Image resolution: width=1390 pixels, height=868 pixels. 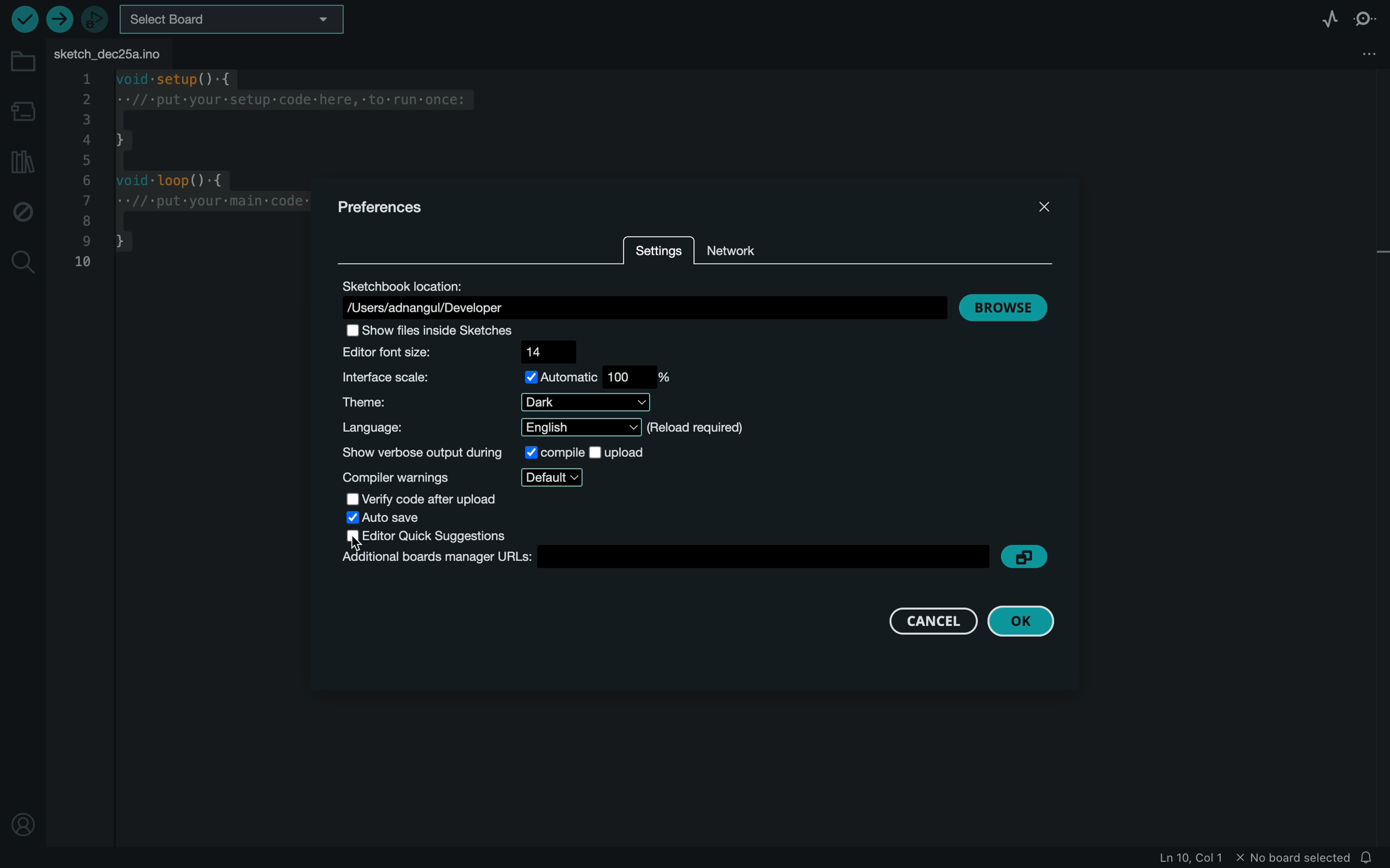 What do you see at coordinates (22, 161) in the screenshot?
I see `library  manager` at bounding box center [22, 161].